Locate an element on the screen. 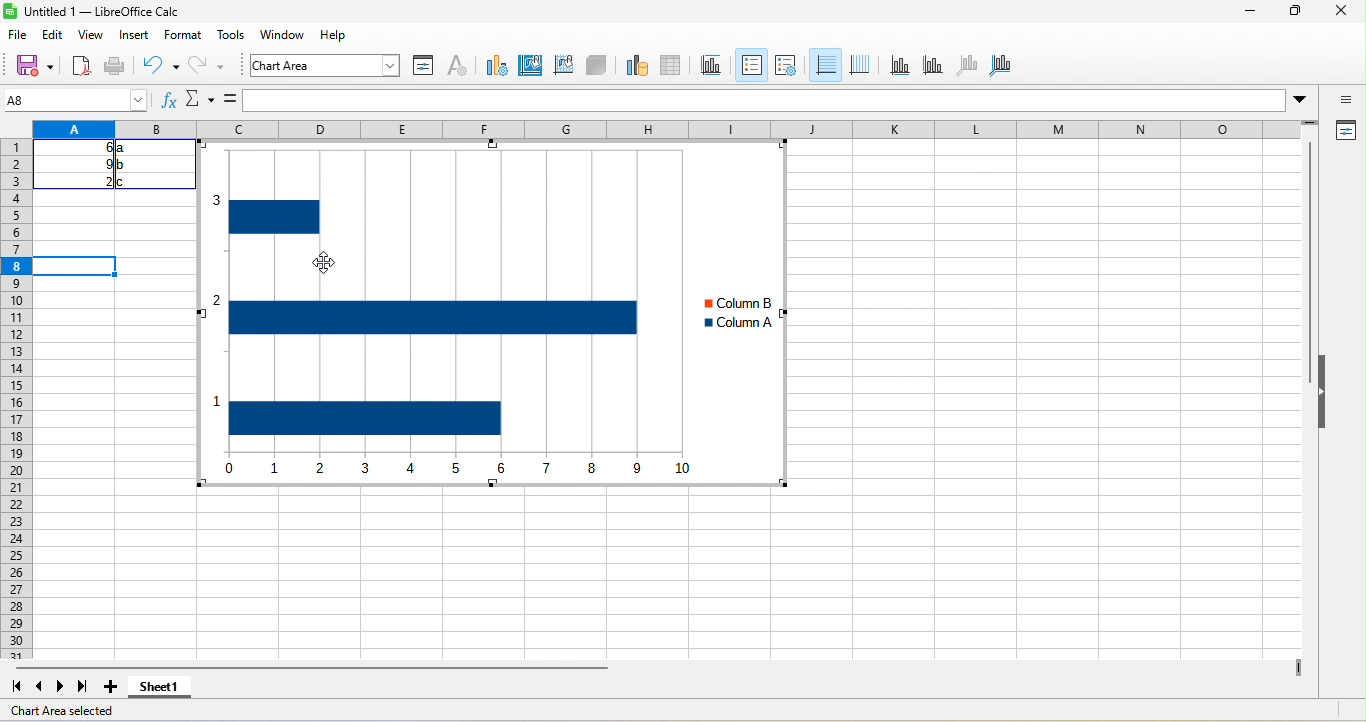  column headings is located at coordinates (678, 129).